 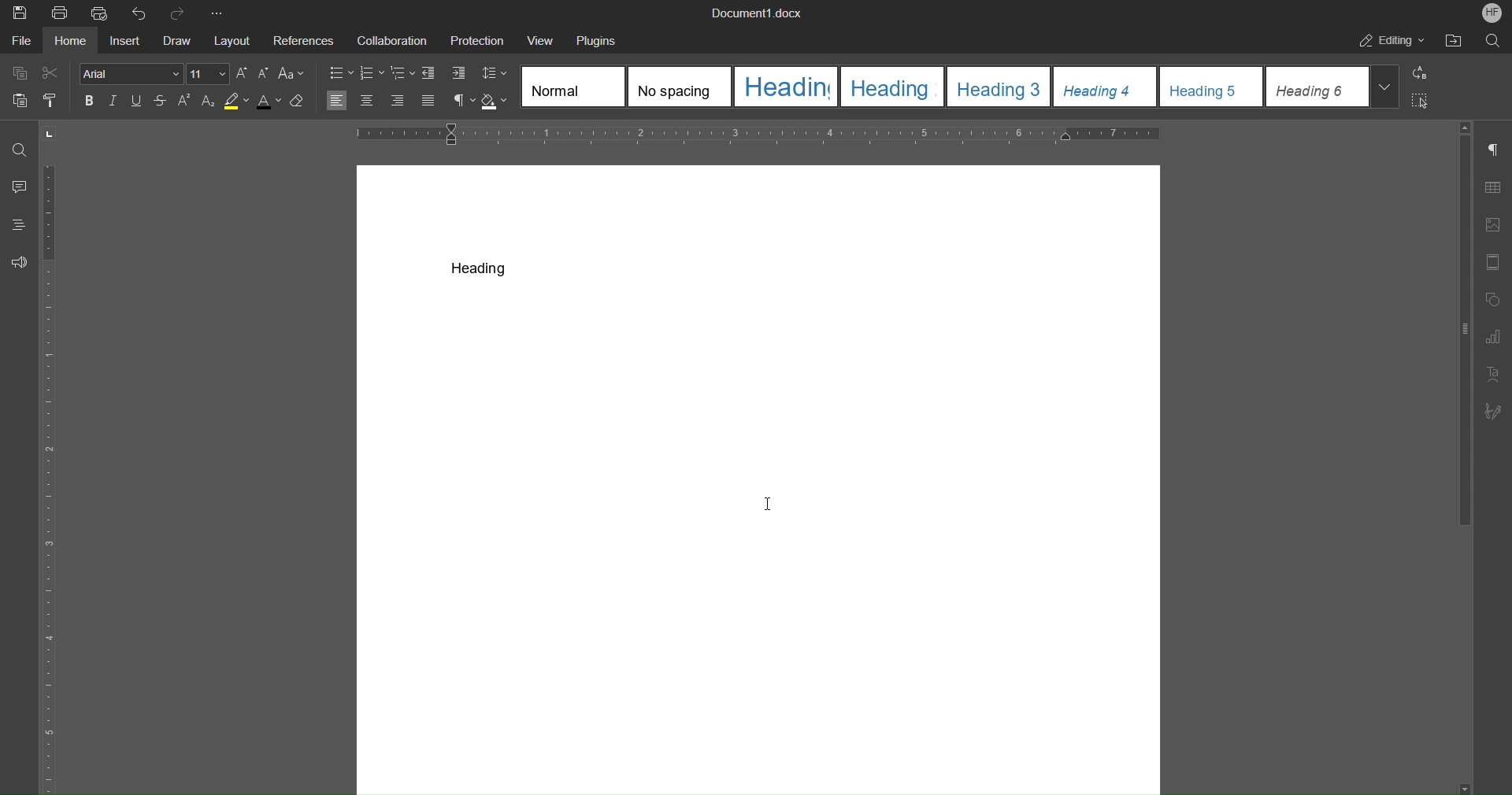 What do you see at coordinates (17, 150) in the screenshot?
I see `Find` at bounding box center [17, 150].